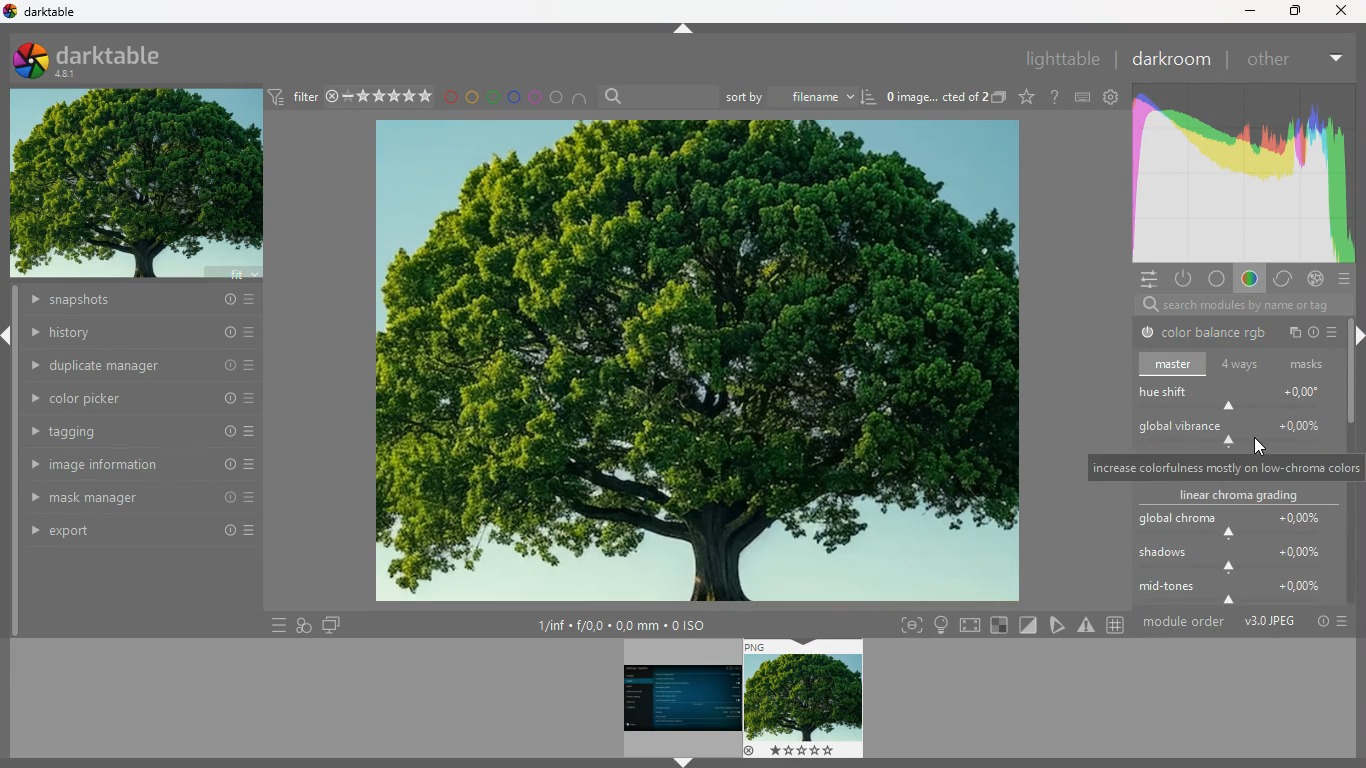  What do you see at coordinates (1217, 280) in the screenshot?
I see `circle` at bounding box center [1217, 280].